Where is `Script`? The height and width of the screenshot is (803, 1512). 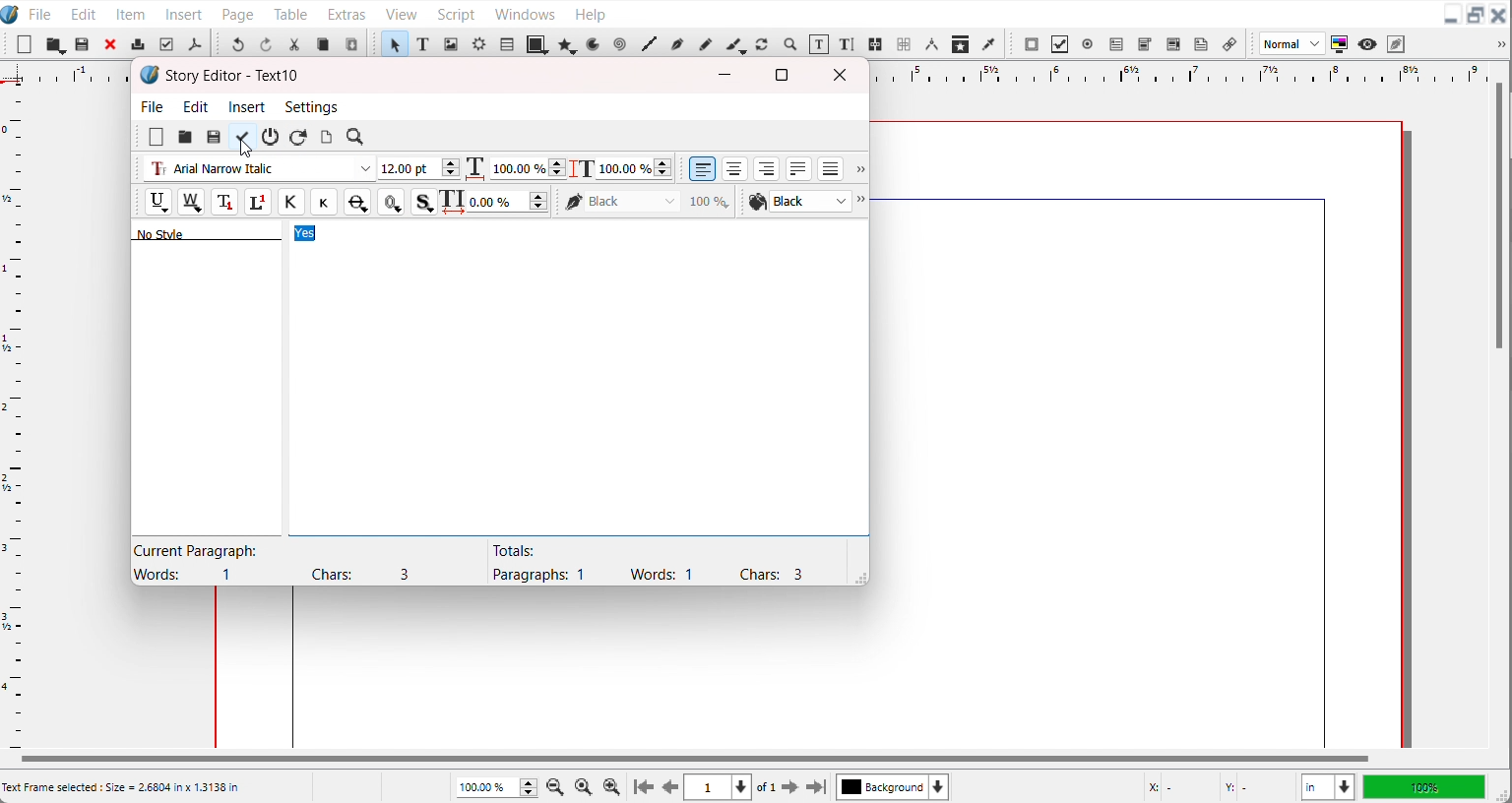 Script is located at coordinates (458, 13).